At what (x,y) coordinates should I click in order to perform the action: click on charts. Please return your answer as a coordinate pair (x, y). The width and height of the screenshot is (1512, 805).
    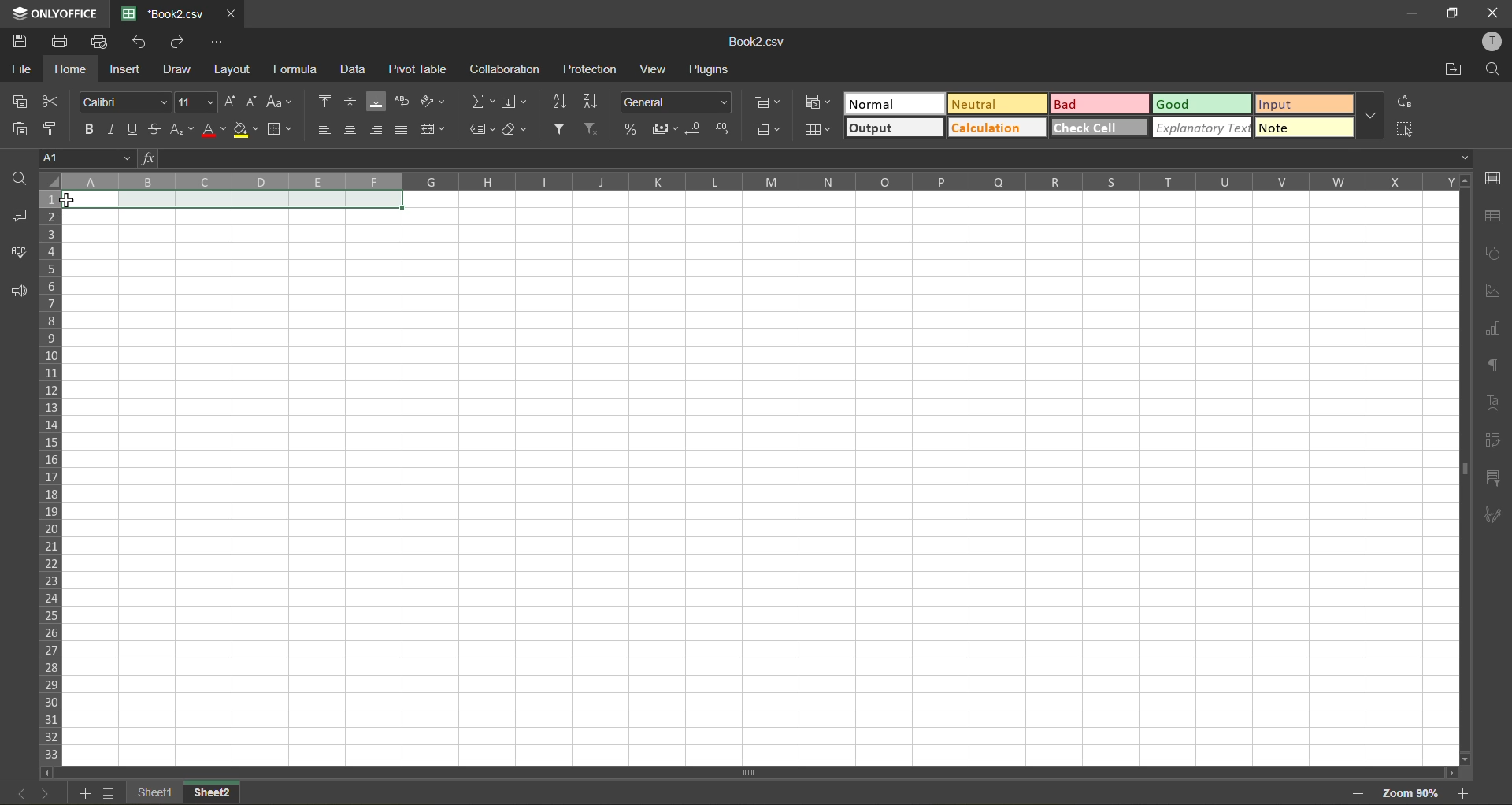
    Looking at the image, I should click on (1494, 329).